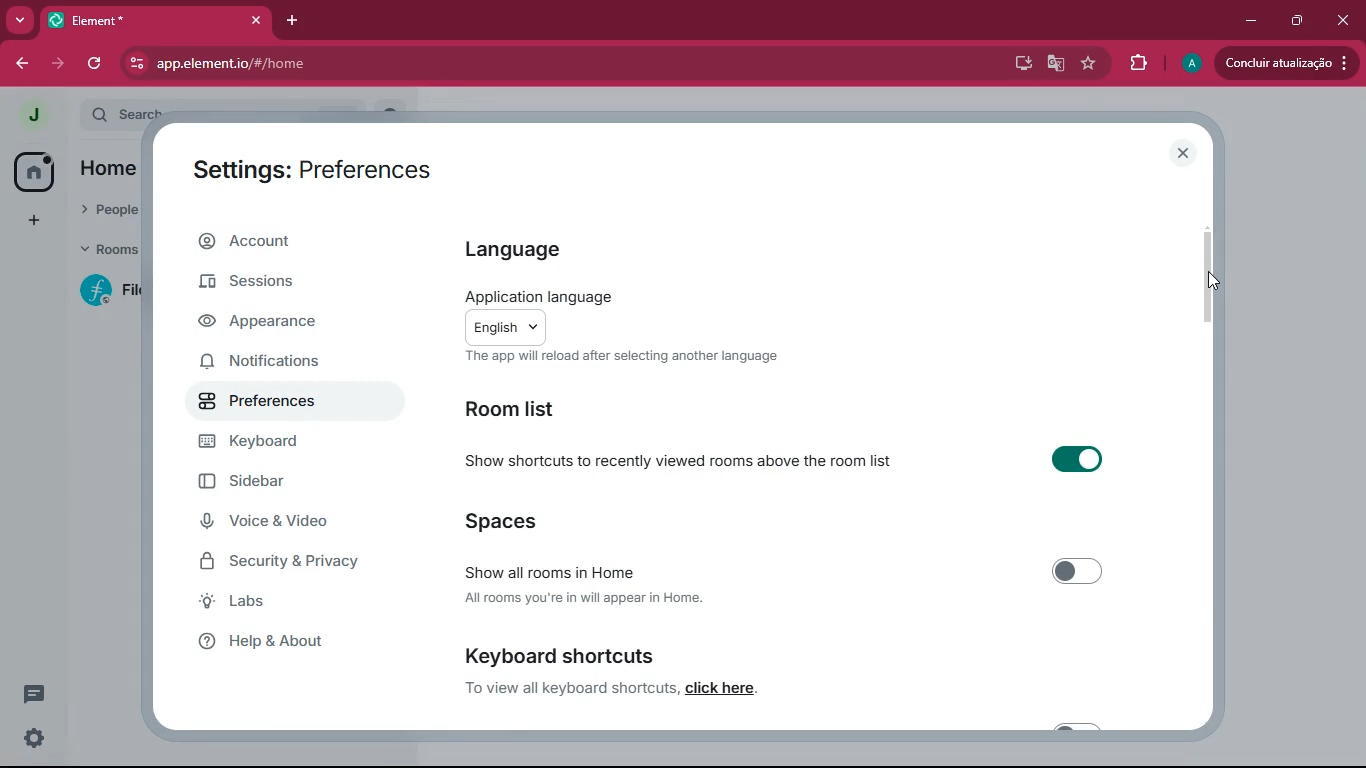 The height and width of the screenshot is (768, 1366). What do you see at coordinates (547, 287) in the screenshot?
I see `application language` at bounding box center [547, 287].